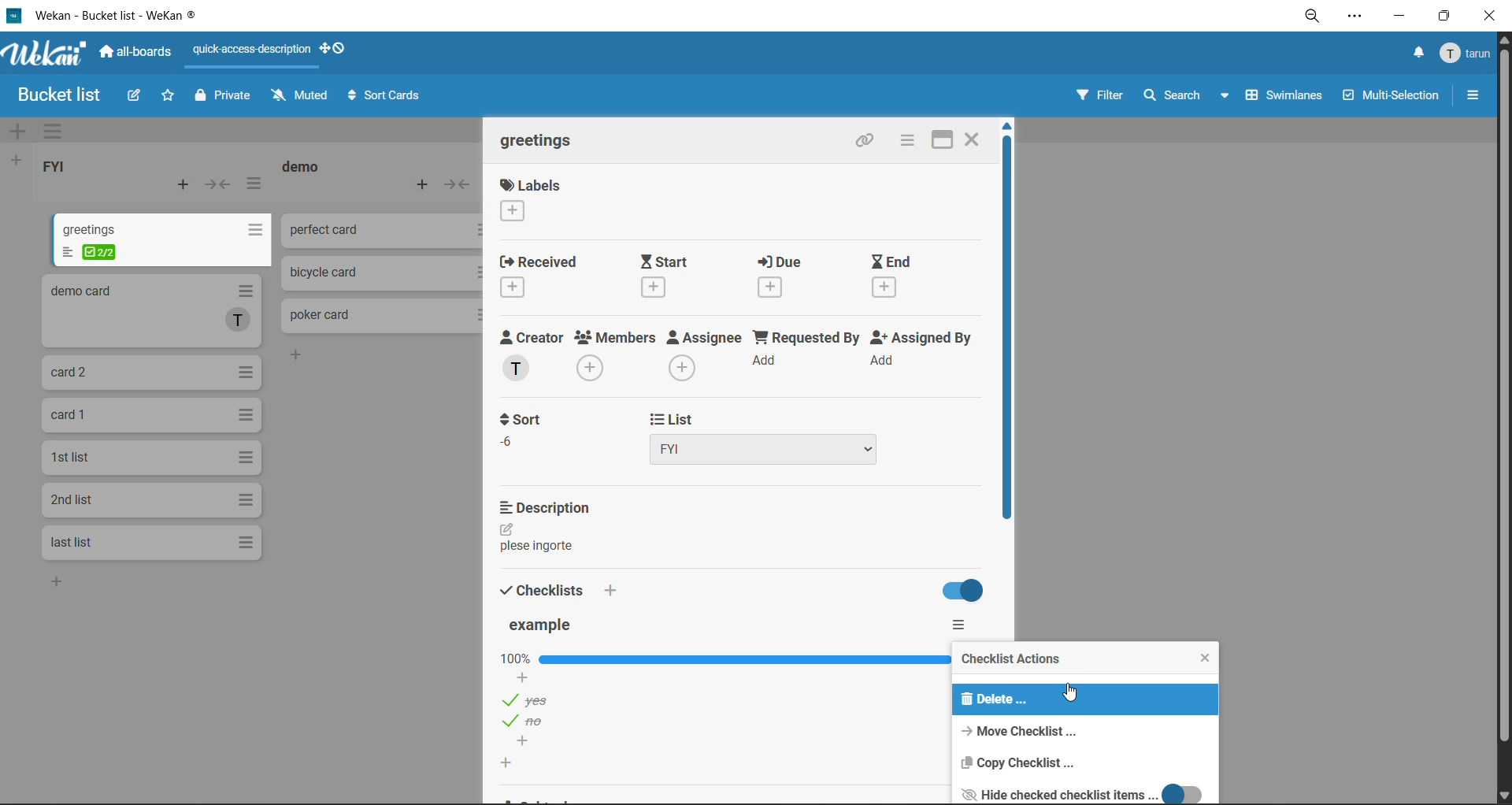 Image resolution: width=1512 pixels, height=805 pixels. I want to click on board name, so click(61, 95).